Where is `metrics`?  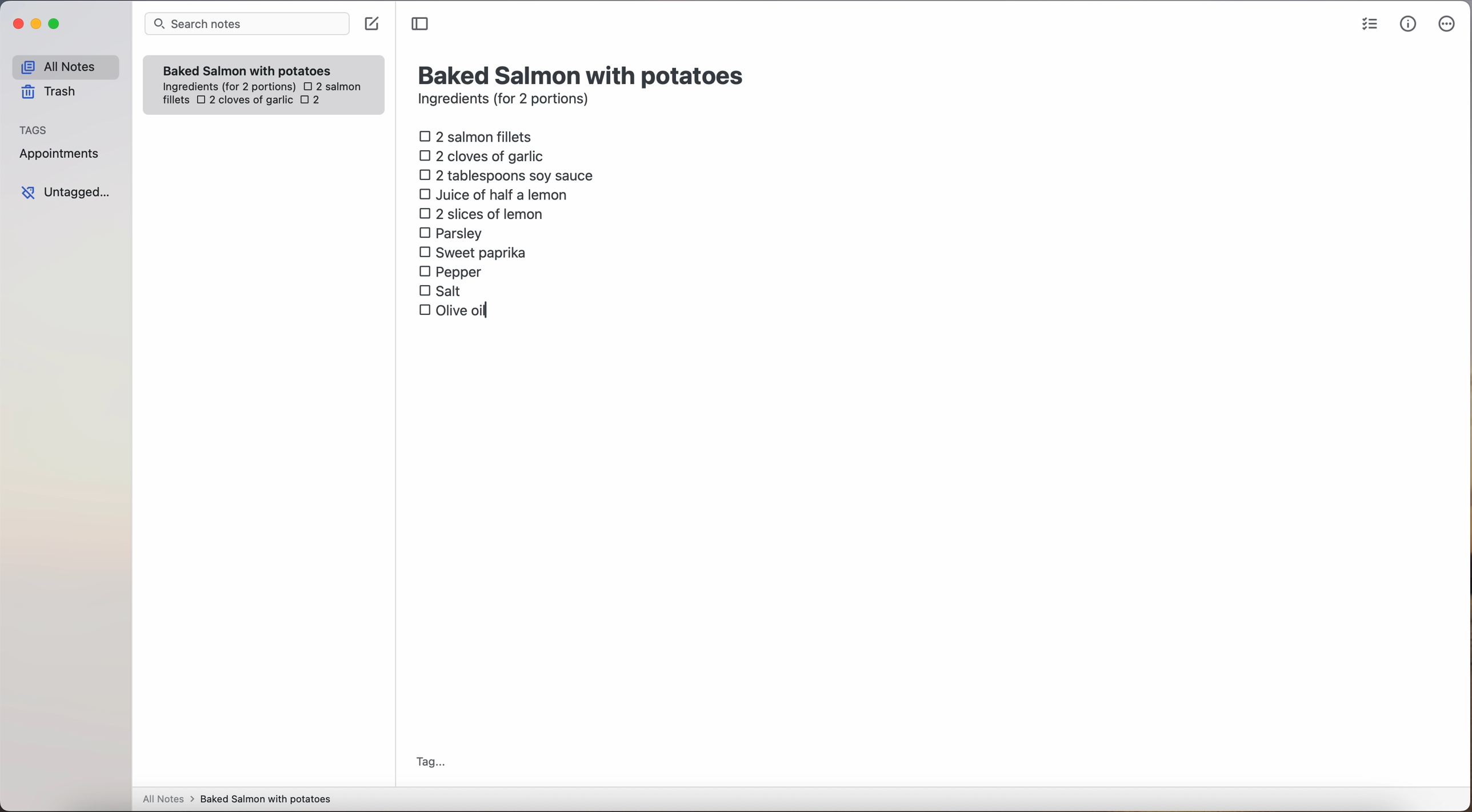 metrics is located at coordinates (1409, 23).